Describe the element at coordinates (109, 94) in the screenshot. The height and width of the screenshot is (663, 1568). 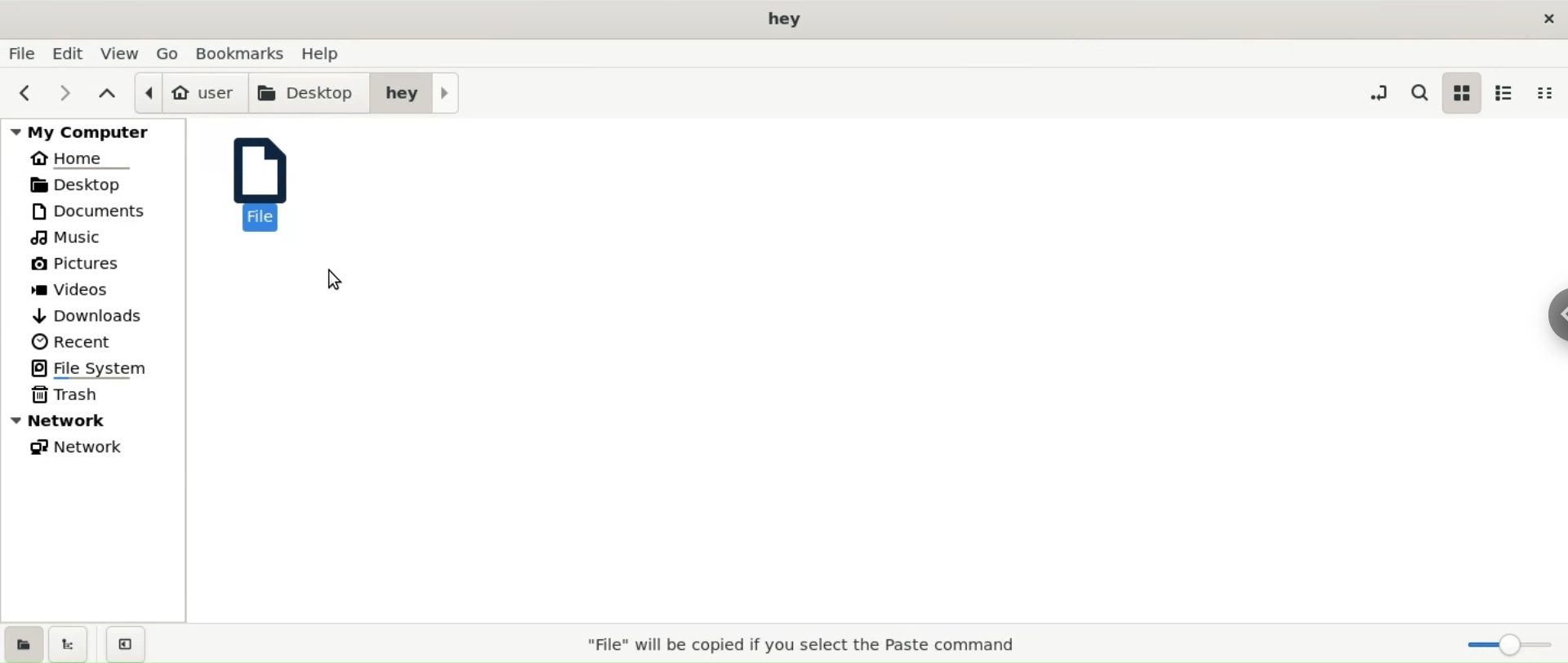
I see `parent folder` at that location.